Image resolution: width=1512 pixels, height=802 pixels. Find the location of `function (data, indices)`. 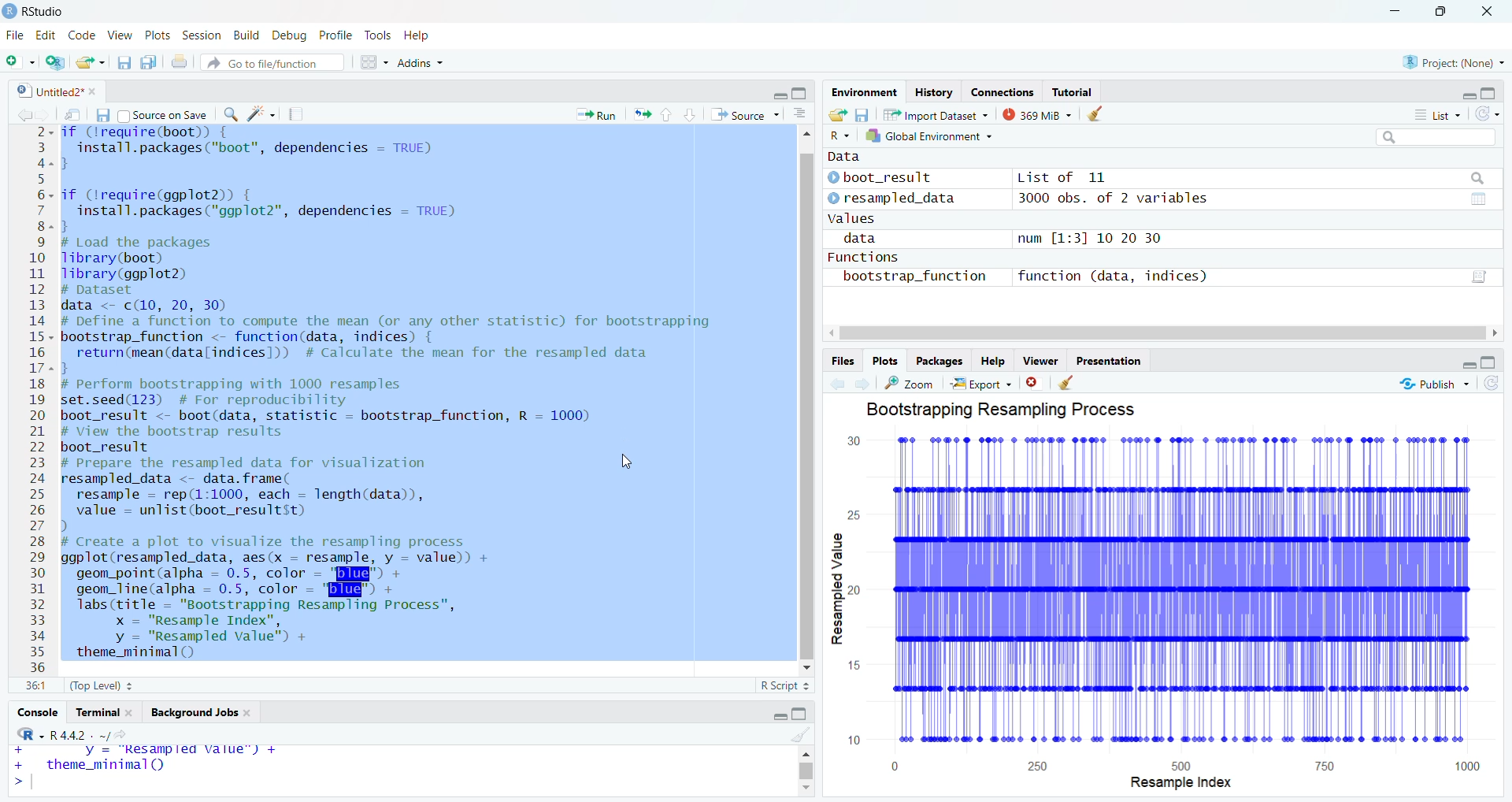

function (data, indices) is located at coordinates (1112, 278).